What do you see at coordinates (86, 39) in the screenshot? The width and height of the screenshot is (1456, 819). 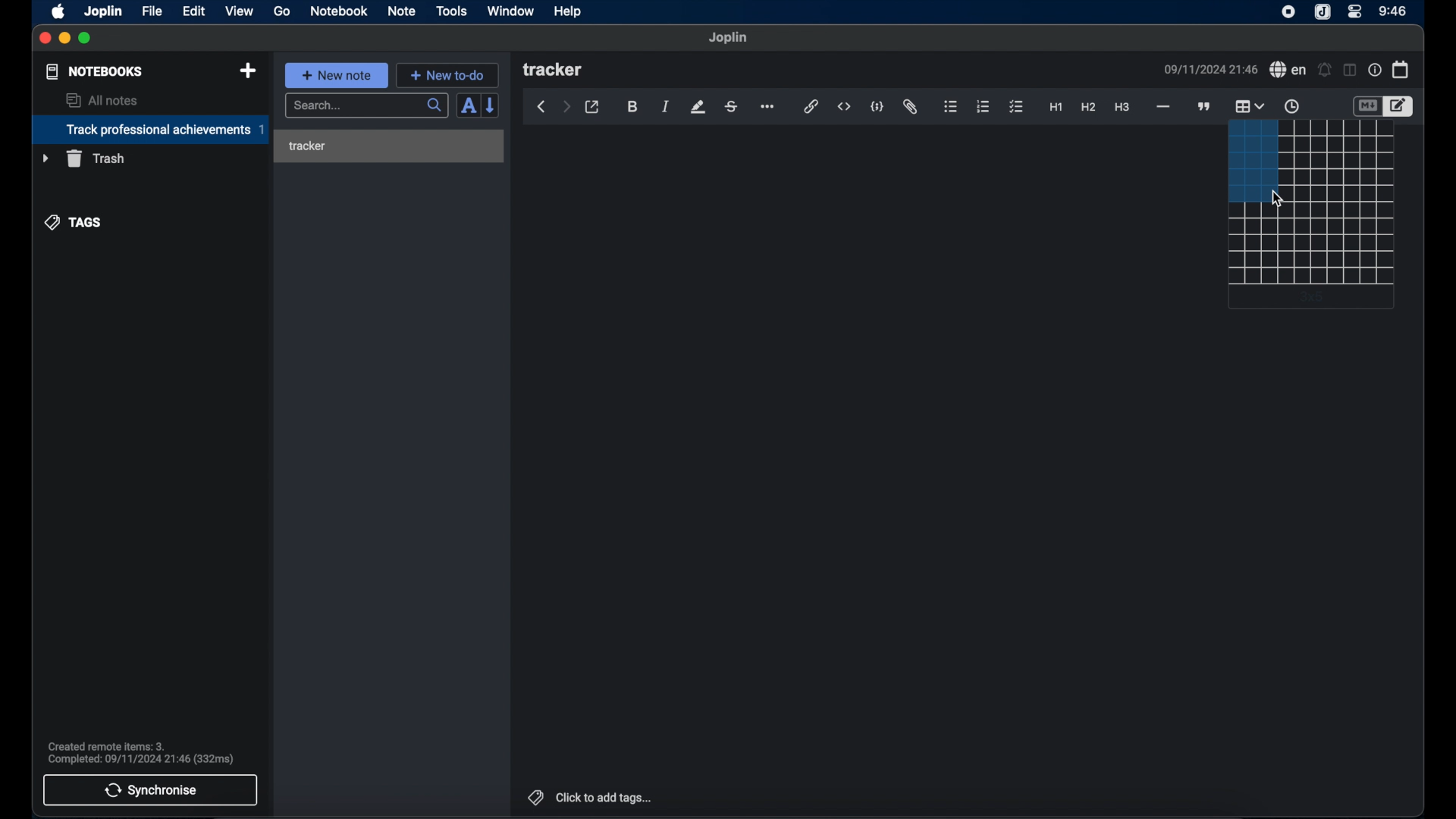 I see `maximize` at bounding box center [86, 39].